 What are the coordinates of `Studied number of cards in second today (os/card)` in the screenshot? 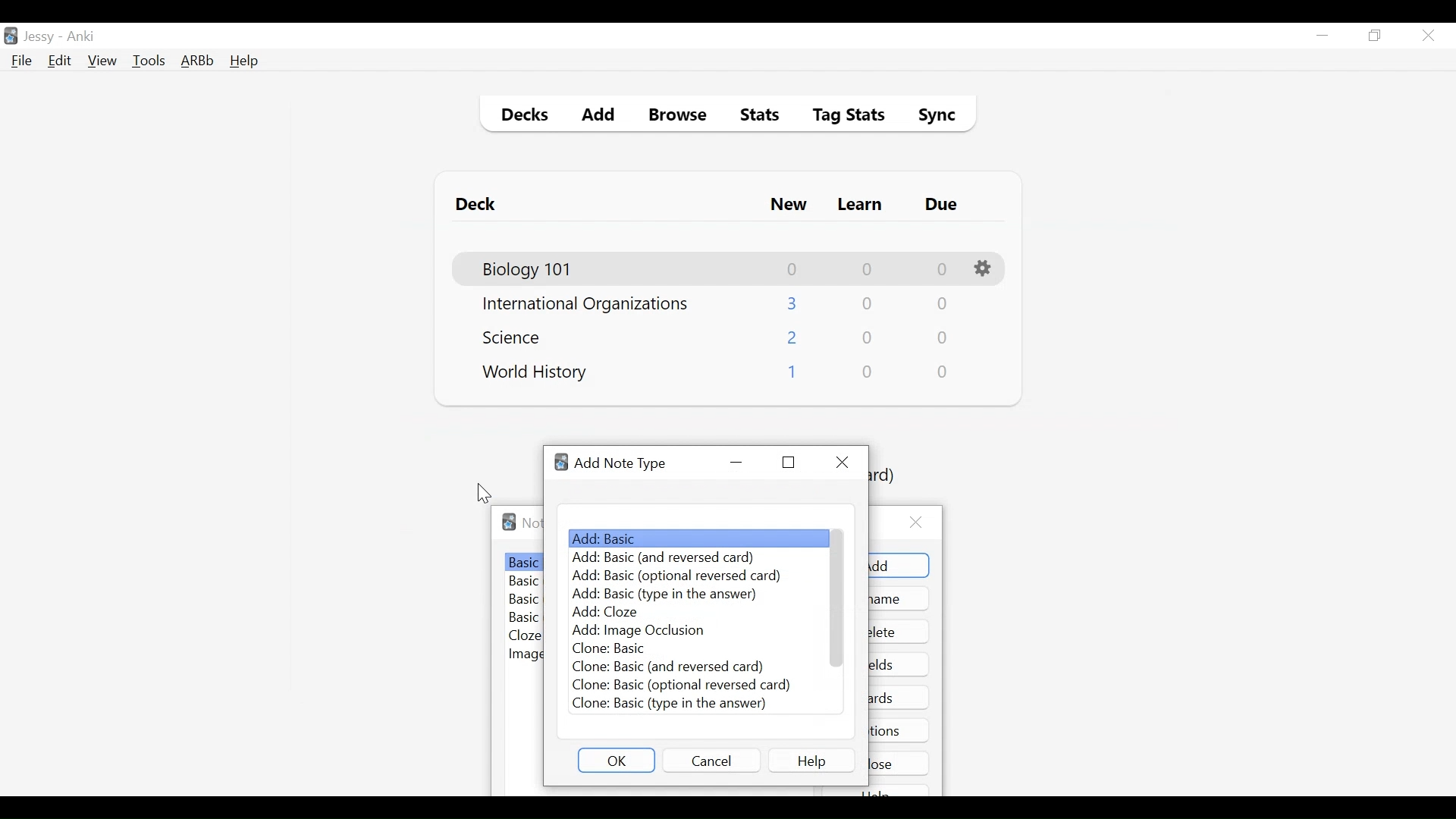 It's located at (888, 476).